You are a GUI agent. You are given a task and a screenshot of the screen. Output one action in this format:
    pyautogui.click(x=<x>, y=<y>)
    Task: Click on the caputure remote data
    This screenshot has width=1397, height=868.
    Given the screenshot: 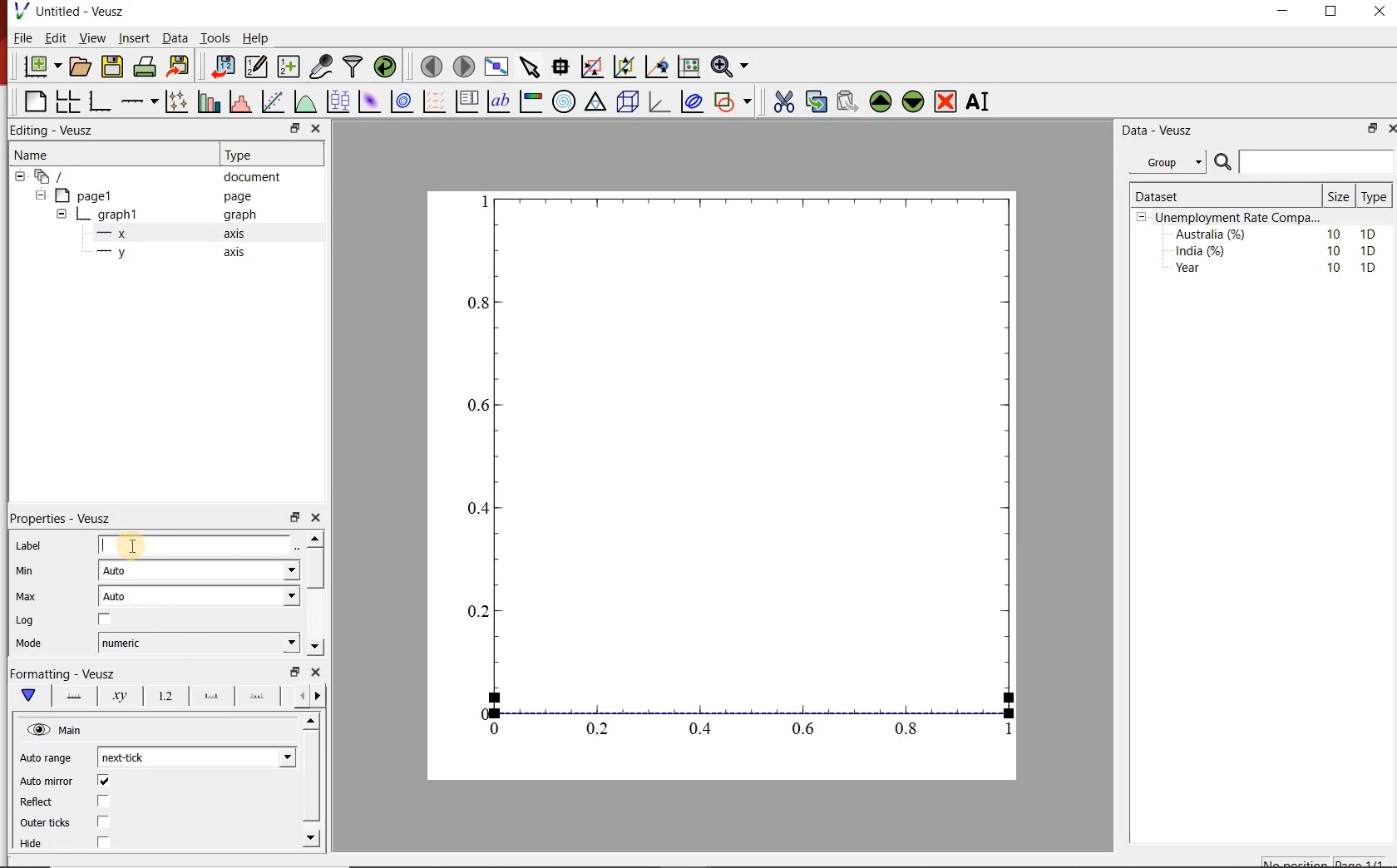 What is the action you would take?
    pyautogui.click(x=323, y=66)
    